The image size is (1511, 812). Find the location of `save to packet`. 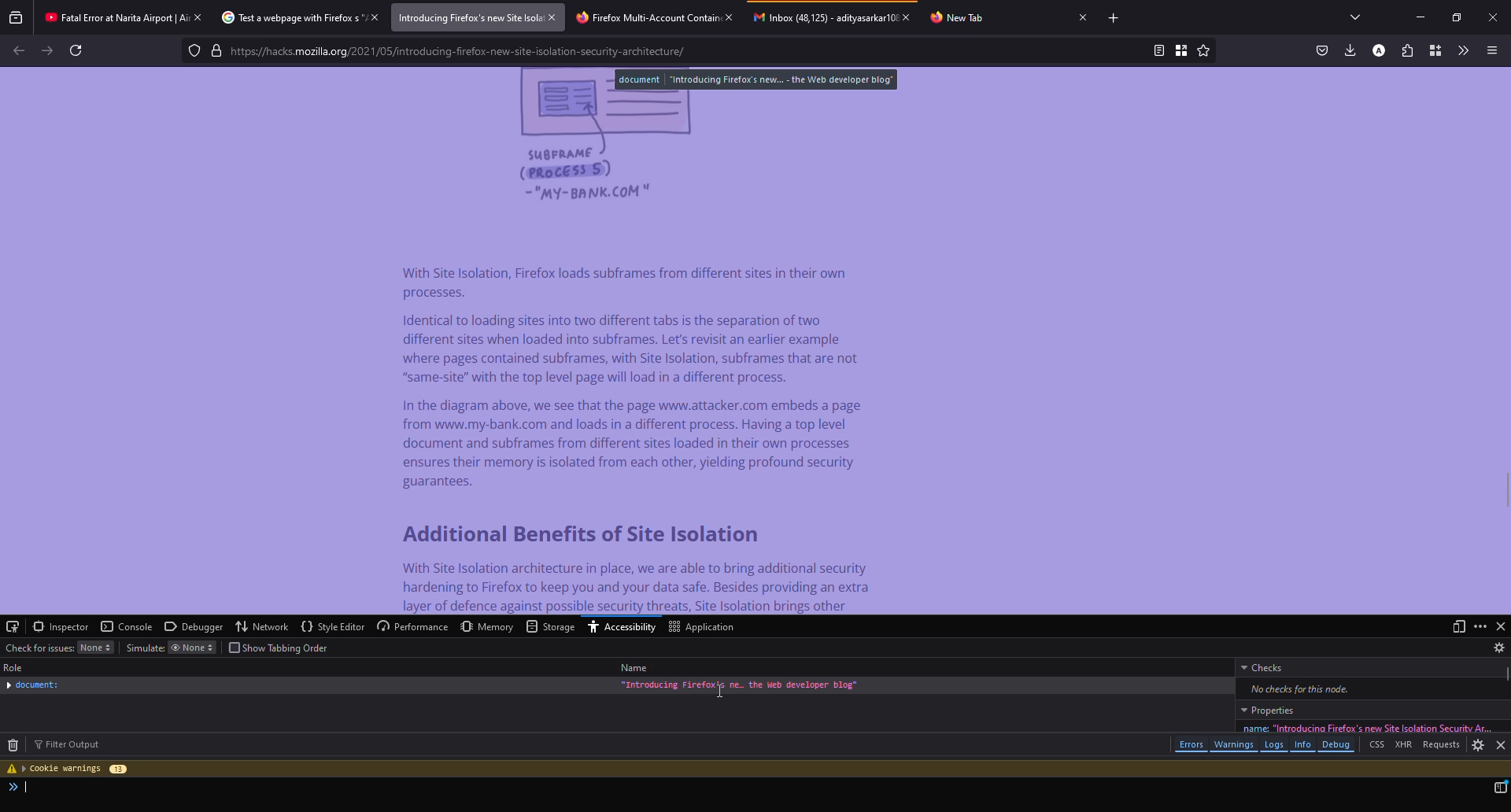

save to packet is located at coordinates (1322, 50).